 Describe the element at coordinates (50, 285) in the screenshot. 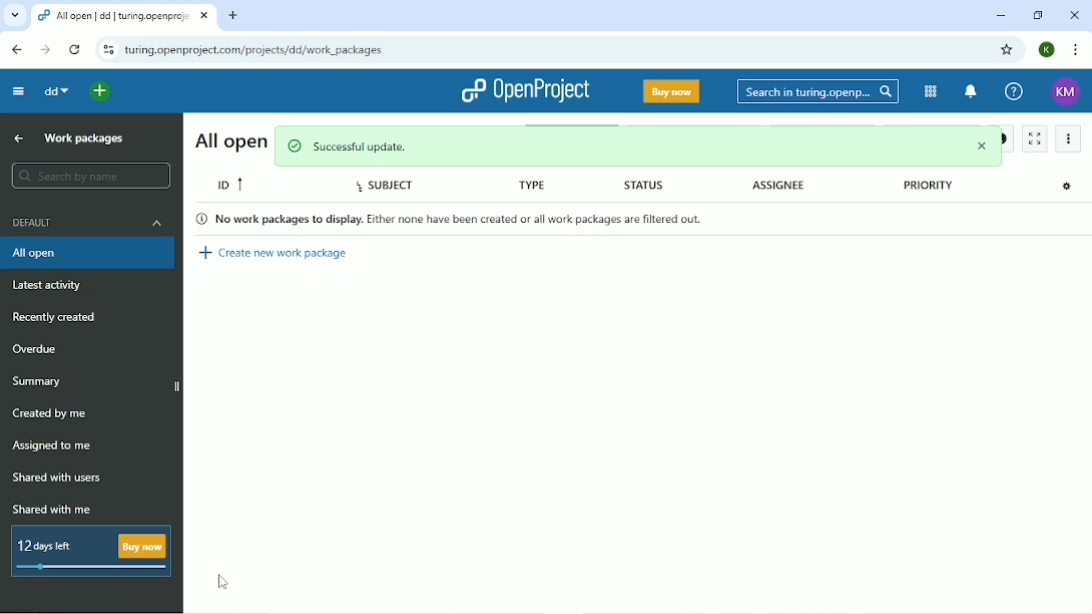

I see `Latest activity` at that location.